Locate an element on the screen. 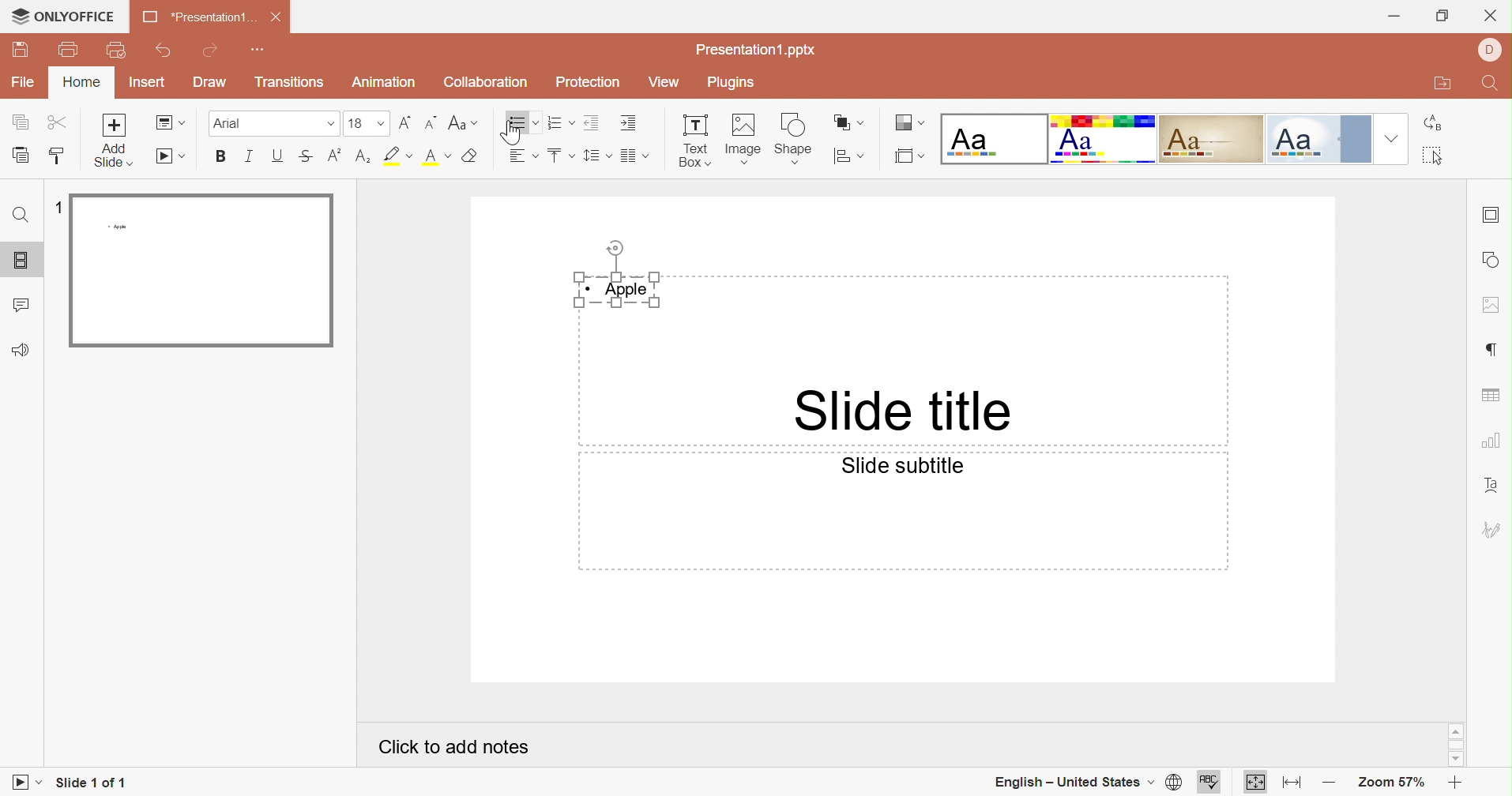 The height and width of the screenshot is (796, 1512). Undo is located at coordinates (164, 52).